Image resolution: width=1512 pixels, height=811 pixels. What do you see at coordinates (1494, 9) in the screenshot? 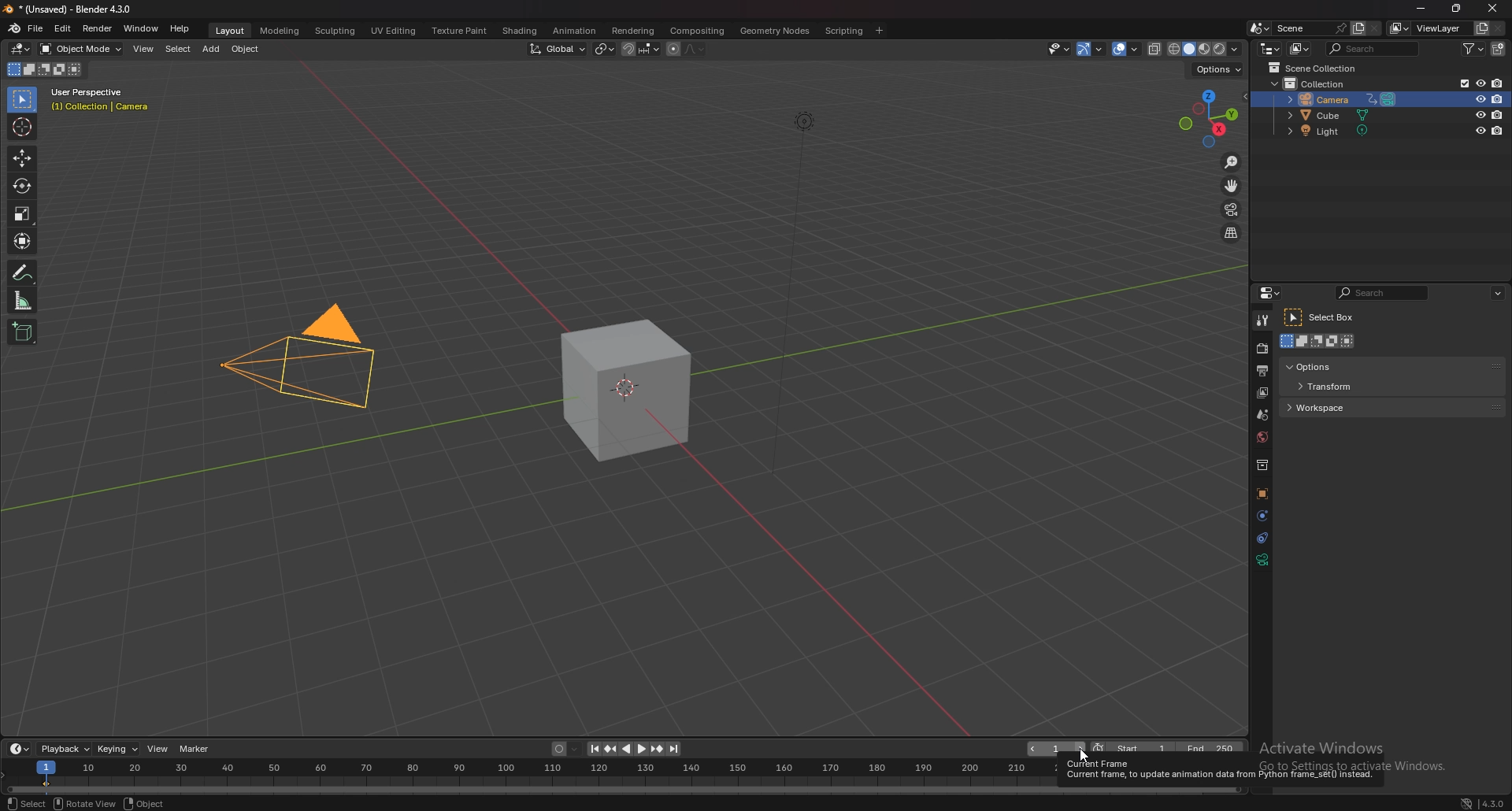
I see `close` at bounding box center [1494, 9].